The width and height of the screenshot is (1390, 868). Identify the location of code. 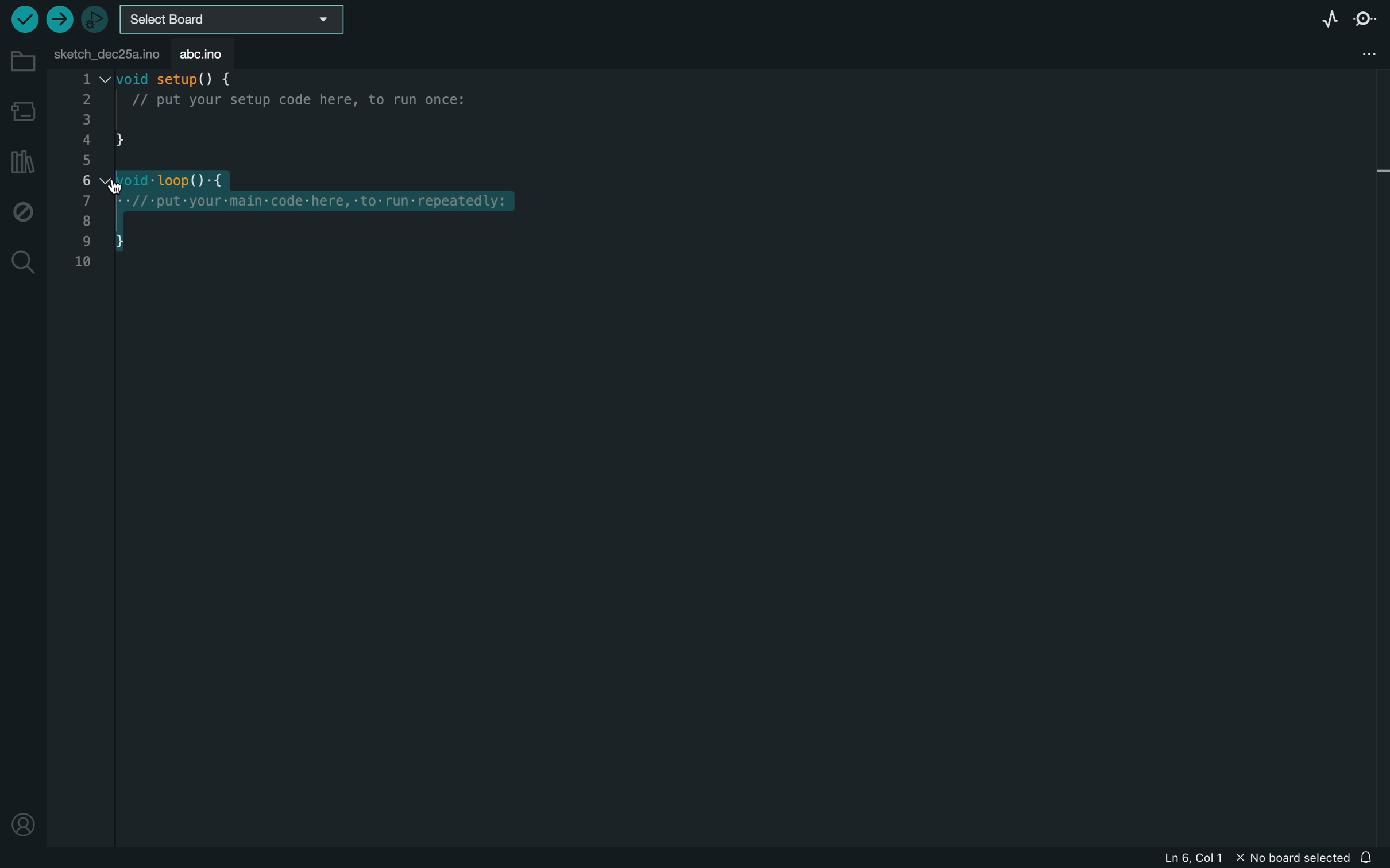
(340, 172).